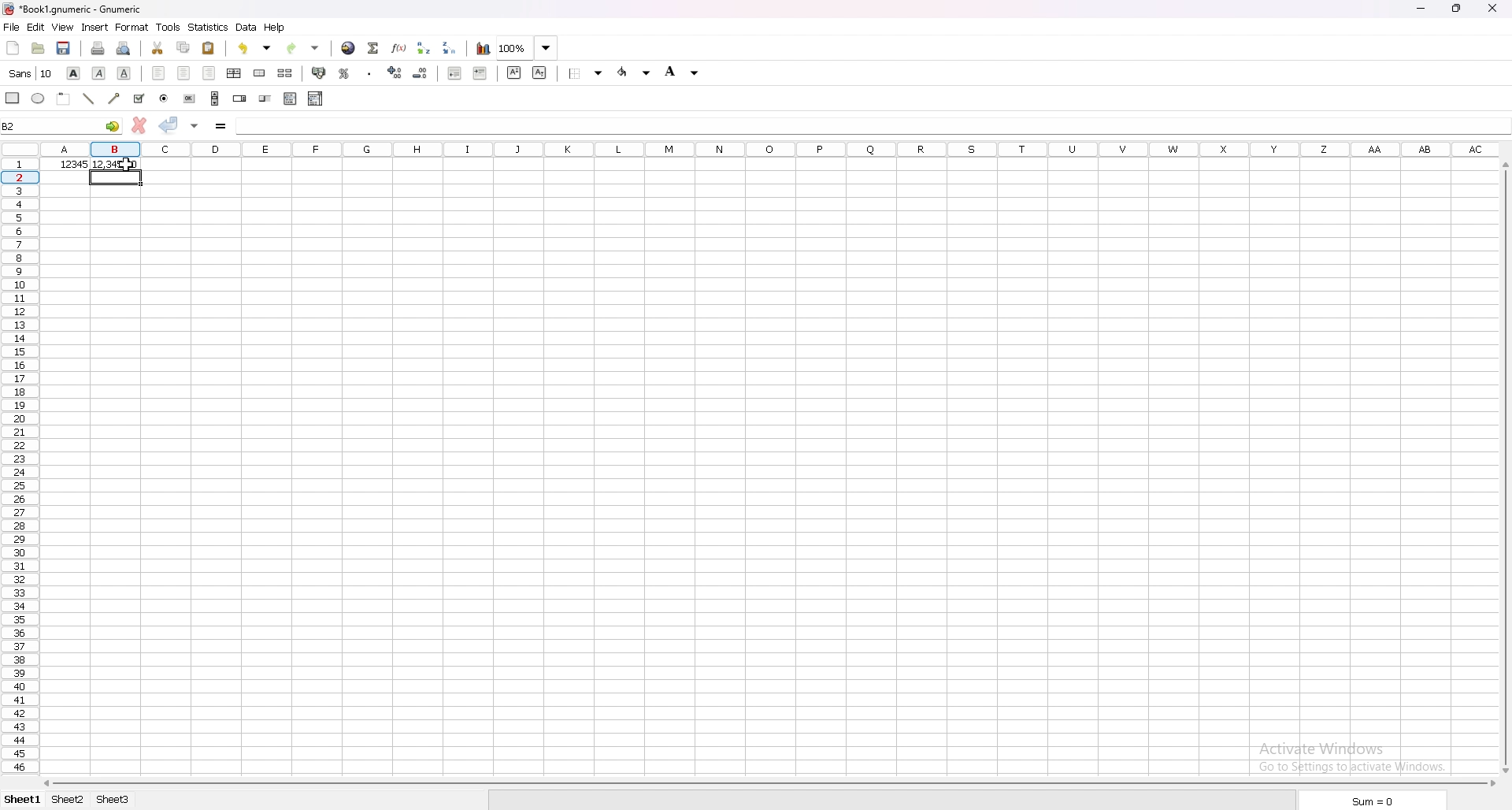 Image resolution: width=1512 pixels, height=810 pixels. What do you see at coordinates (1424, 7) in the screenshot?
I see `minimize` at bounding box center [1424, 7].